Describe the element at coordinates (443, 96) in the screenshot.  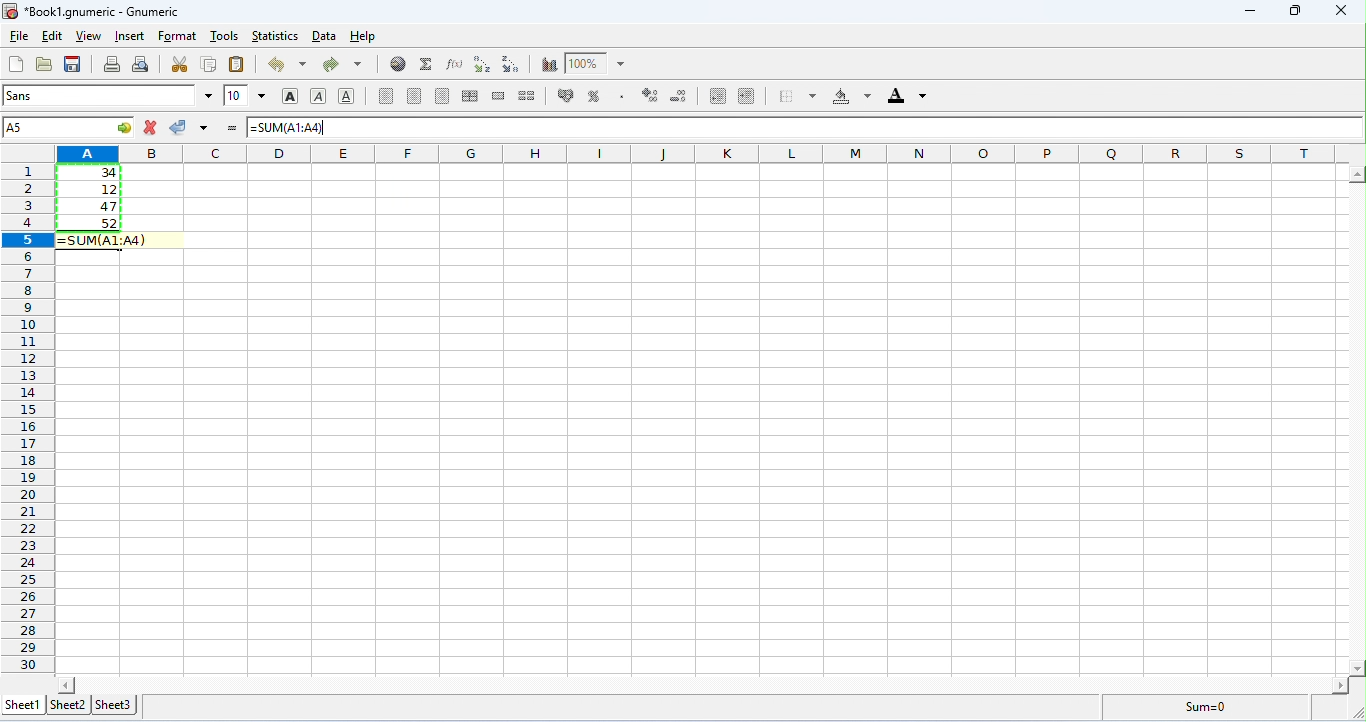
I see `align right` at that location.